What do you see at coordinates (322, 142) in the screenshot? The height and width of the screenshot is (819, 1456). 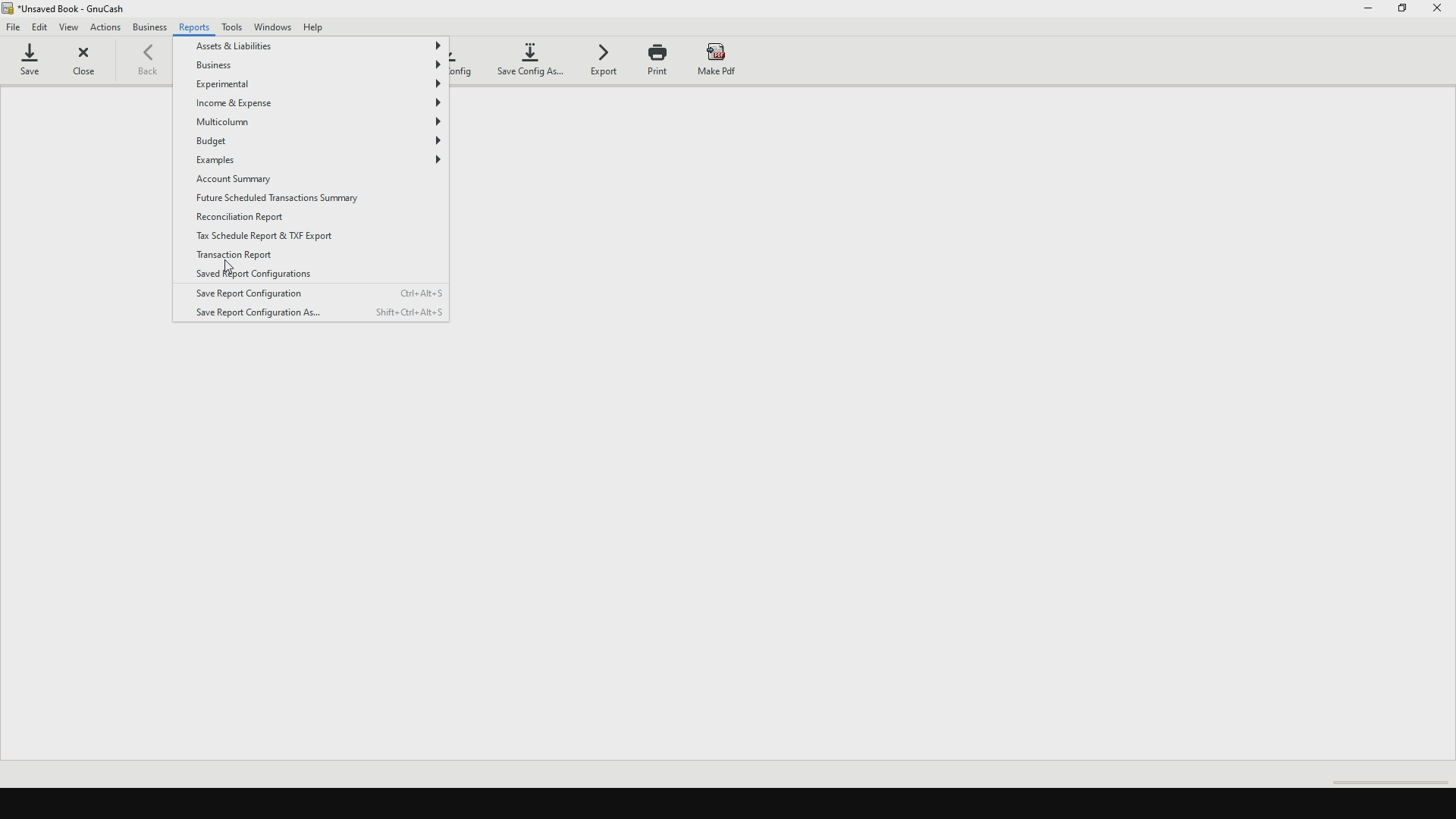 I see `budget` at bounding box center [322, 142].